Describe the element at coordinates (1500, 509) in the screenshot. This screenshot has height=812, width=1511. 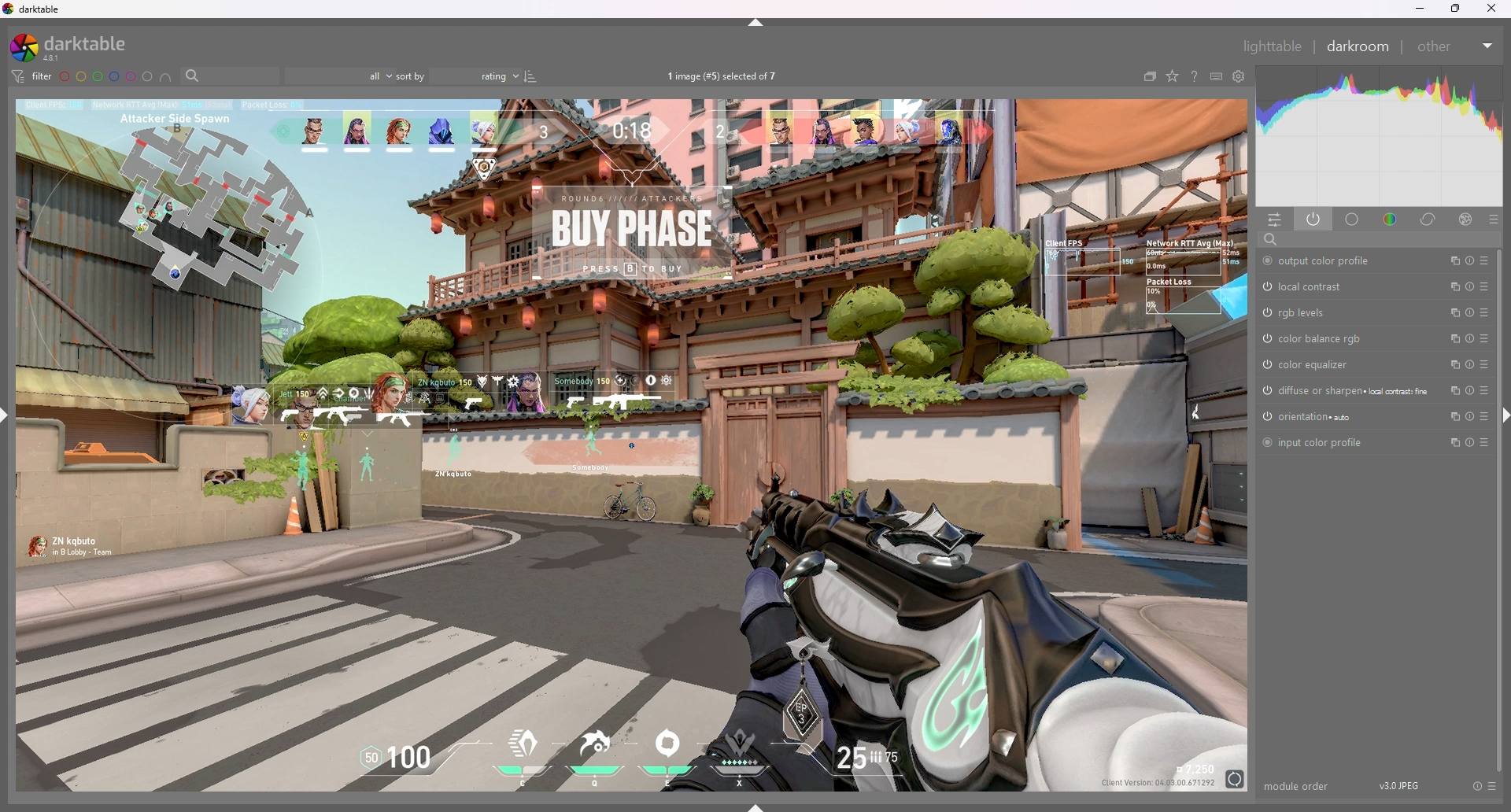
I see `scroll bar` at that location.